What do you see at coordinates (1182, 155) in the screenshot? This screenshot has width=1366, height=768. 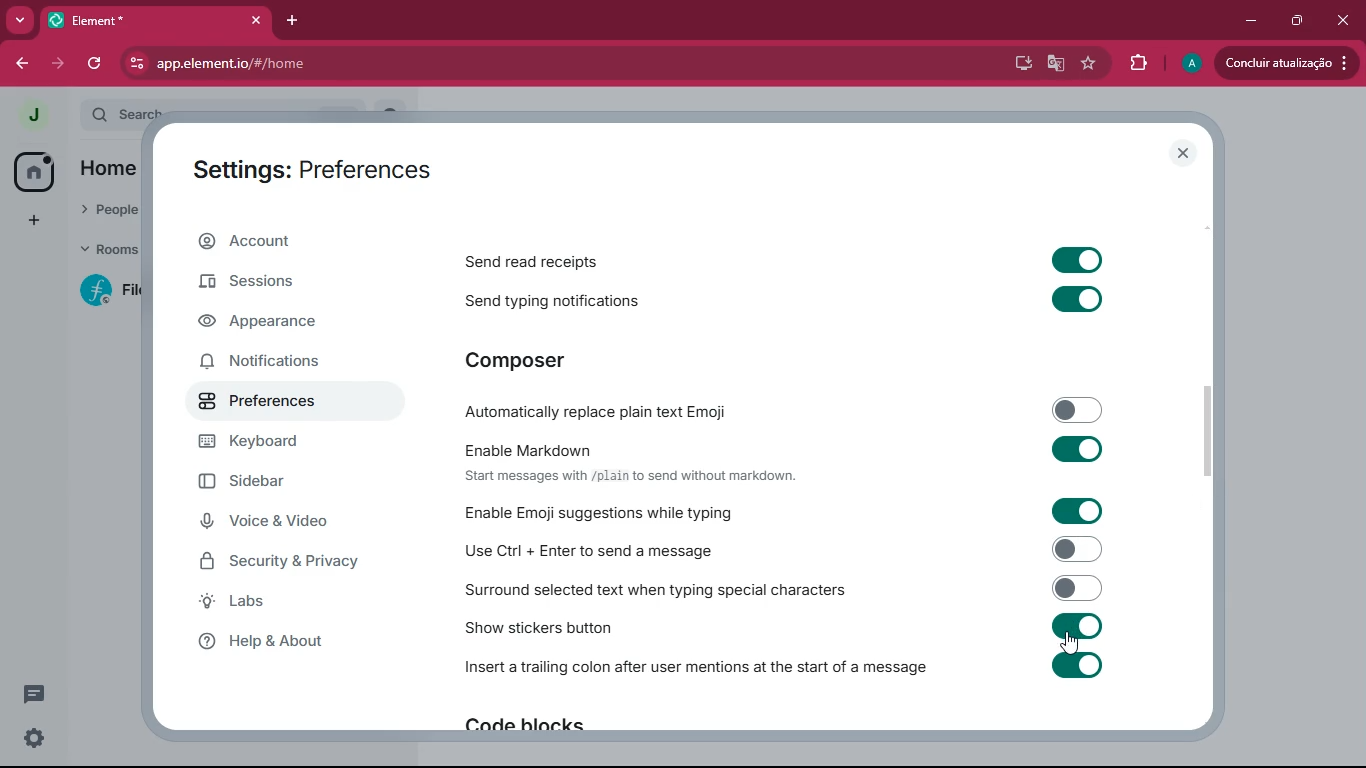 I see `close` at bounding box center [1182, 155].